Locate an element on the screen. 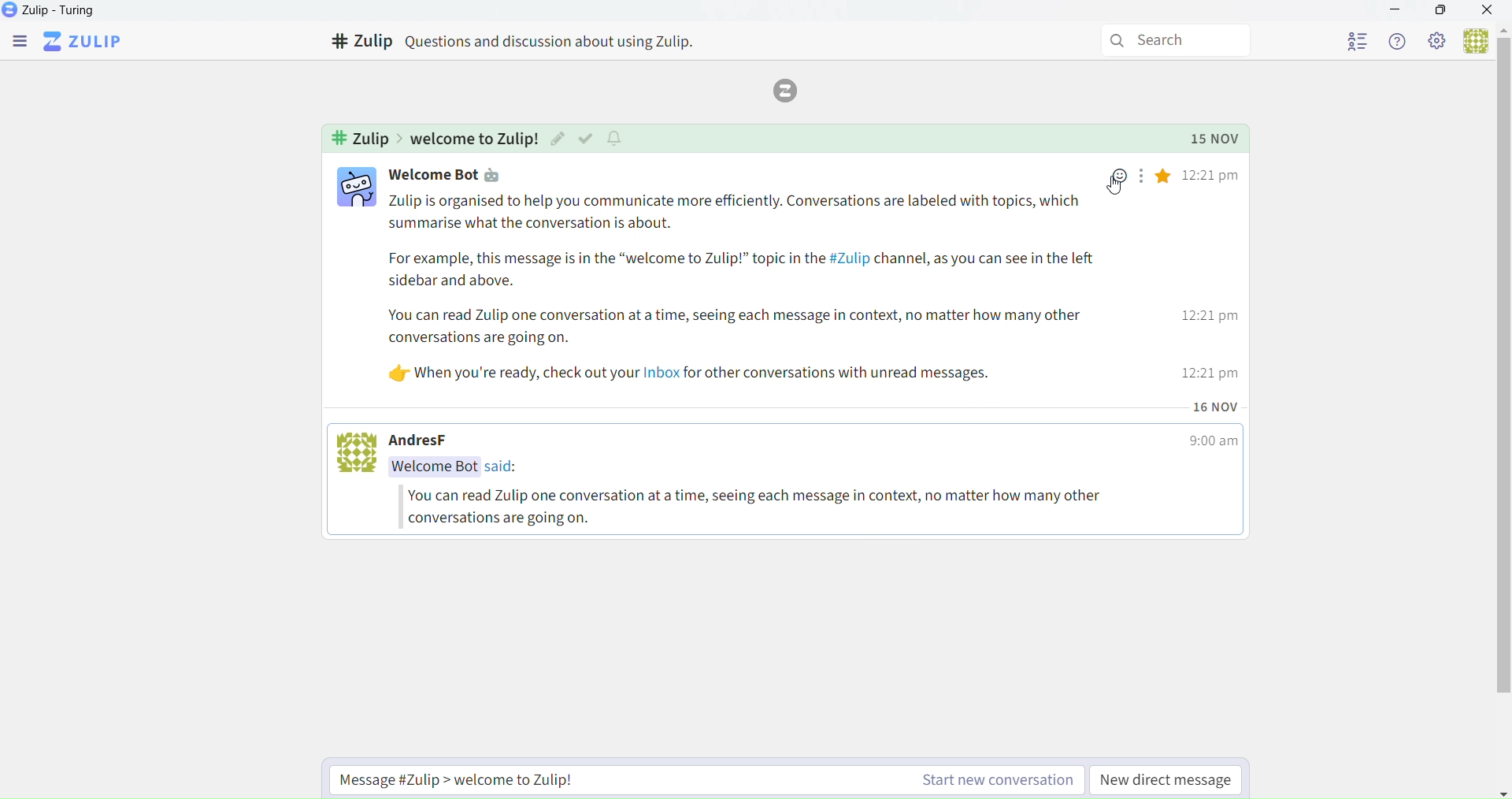 The height and width of the screenshot is (799, 1512). edit is located at coordinates (558, 139).